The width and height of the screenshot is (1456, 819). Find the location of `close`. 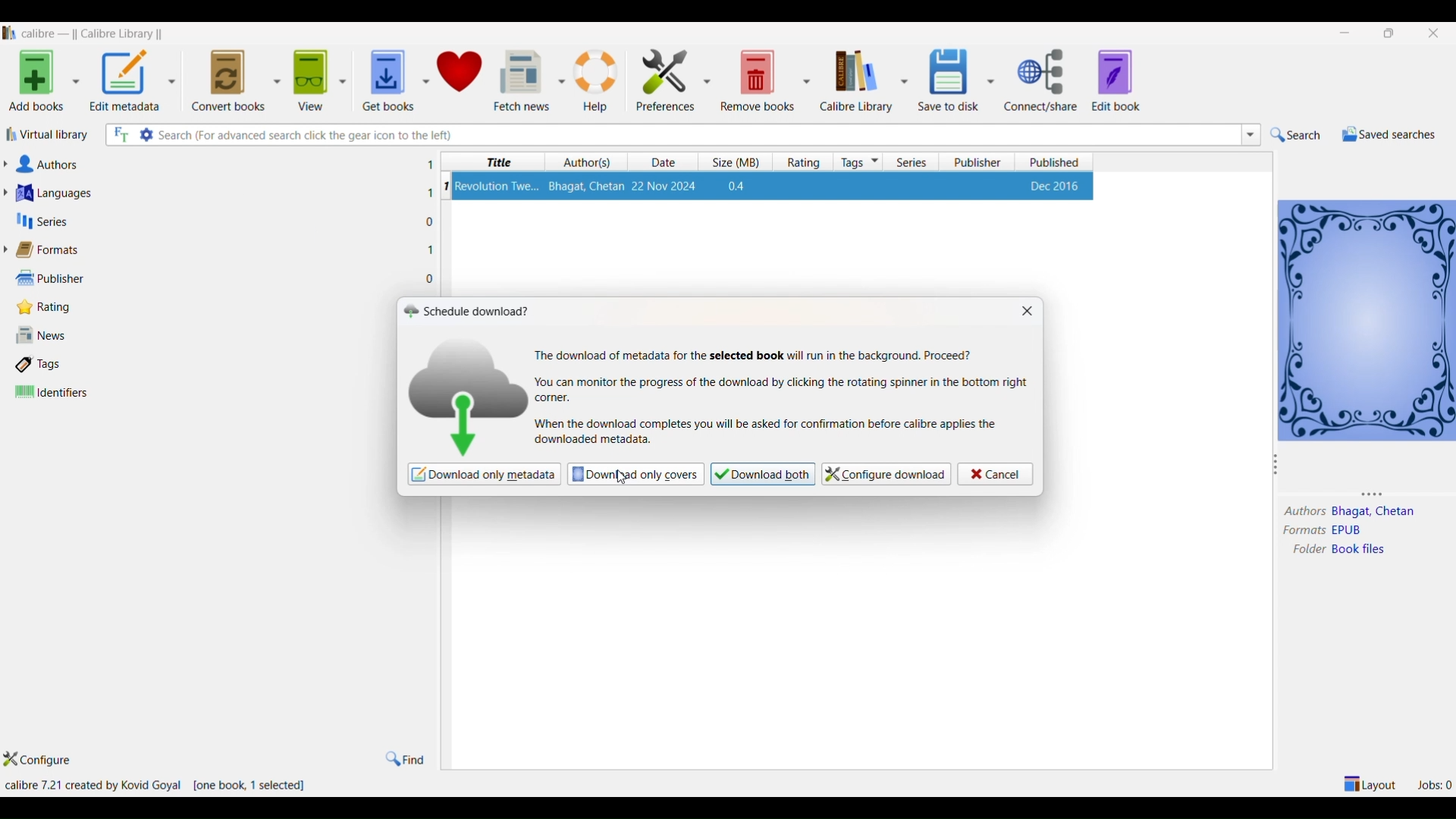

close is located at coordinates (1434, 31).